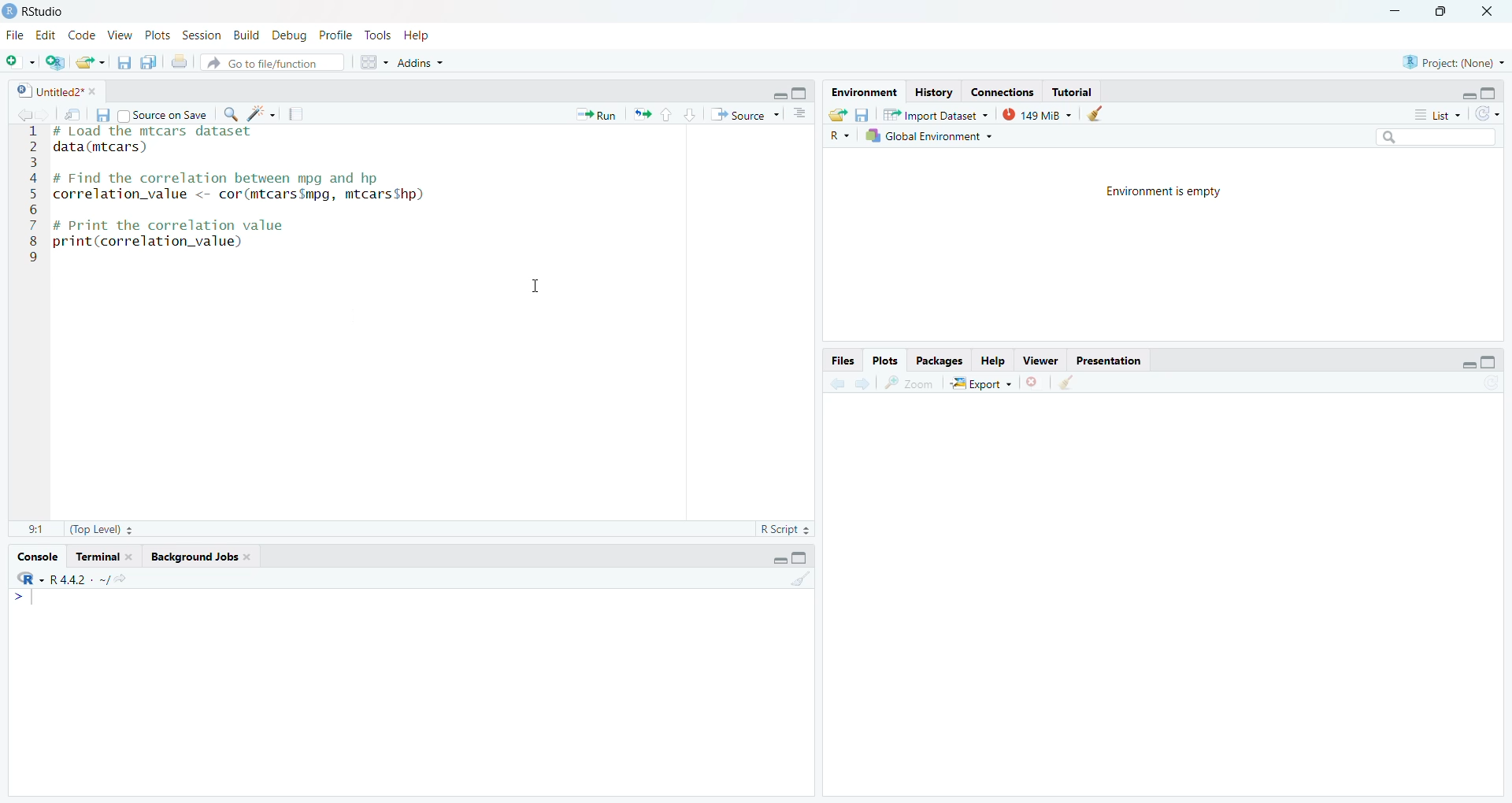 Image resolution: width=1512 pixels, height=803 pixels. I want to click on Prompt cursor, so click(20, 598).